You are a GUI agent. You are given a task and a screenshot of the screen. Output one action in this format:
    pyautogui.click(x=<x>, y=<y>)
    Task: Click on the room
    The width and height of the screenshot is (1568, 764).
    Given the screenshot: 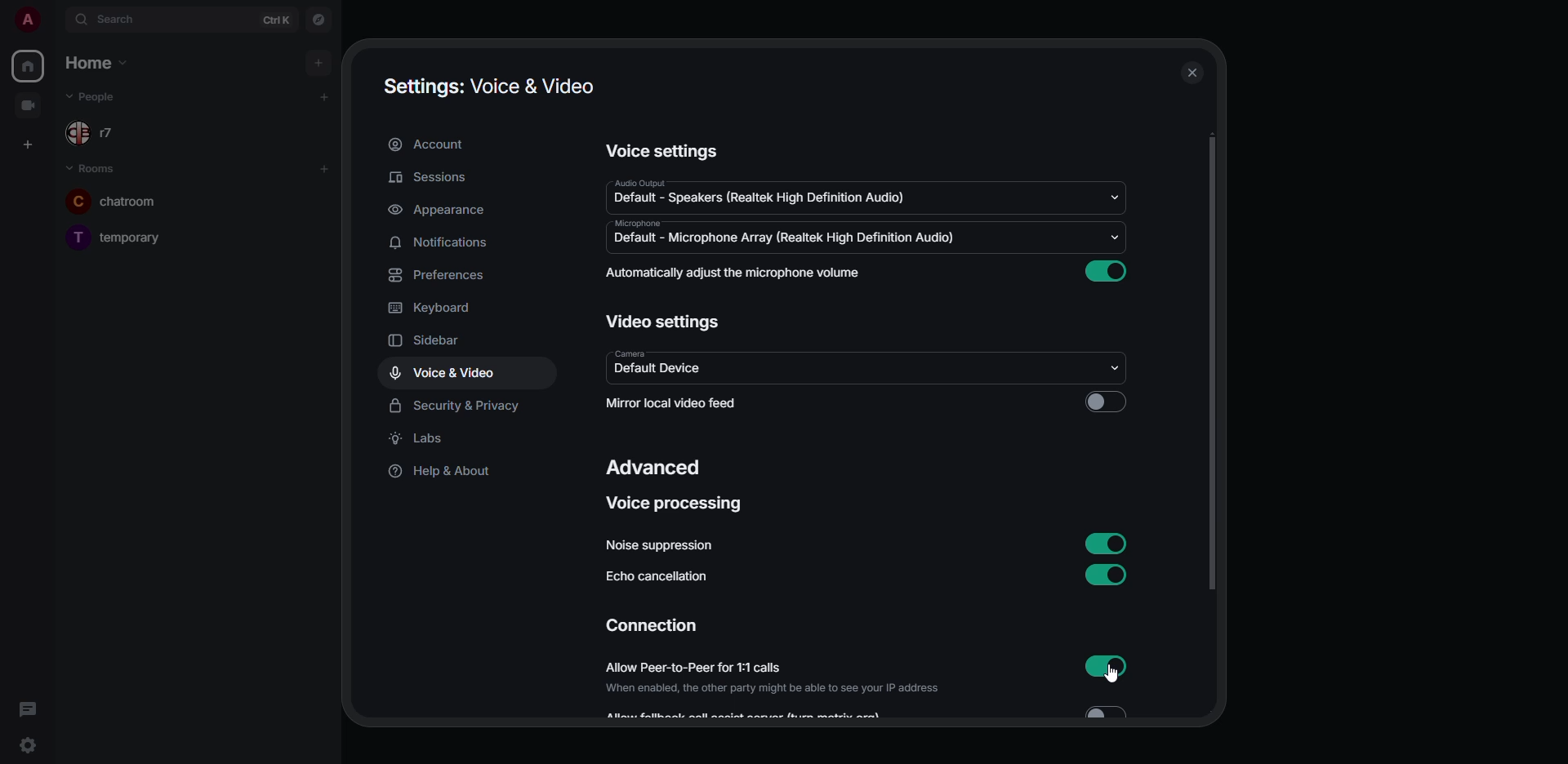 What is the action you would take?
    pyautogui.click(x=125, y=234)
    